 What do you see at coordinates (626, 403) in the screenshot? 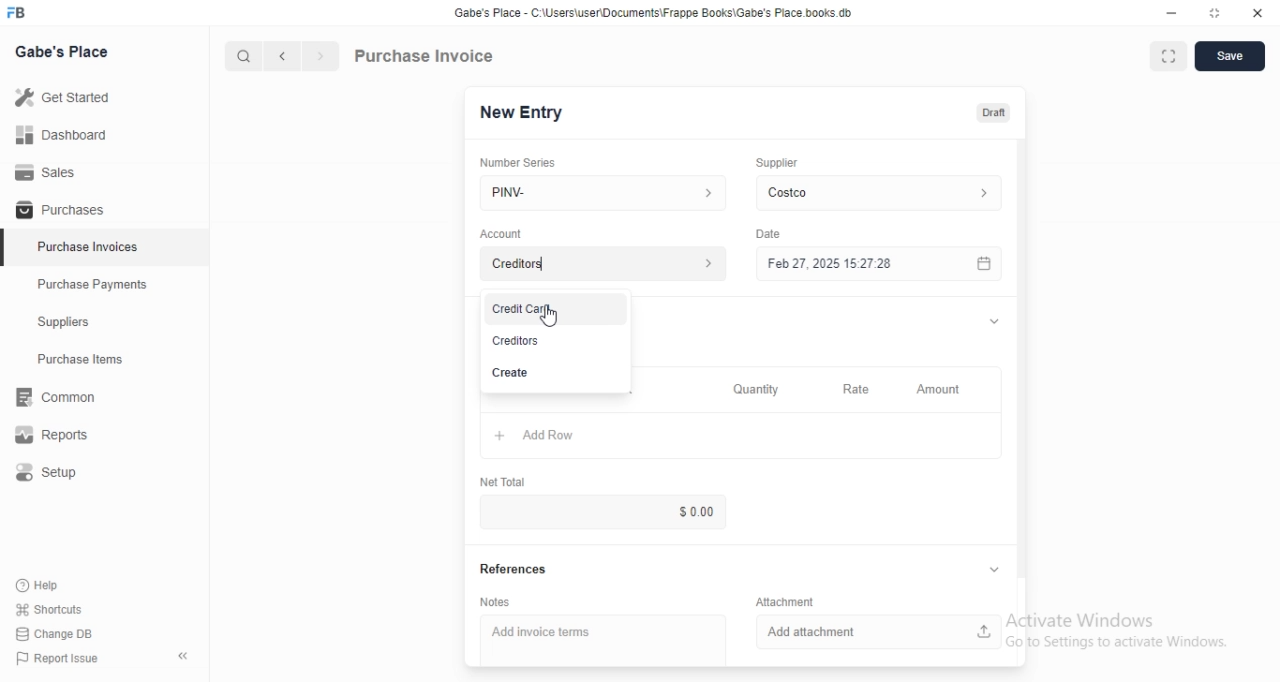
I see `Tax` at bounding box center [626, 403].